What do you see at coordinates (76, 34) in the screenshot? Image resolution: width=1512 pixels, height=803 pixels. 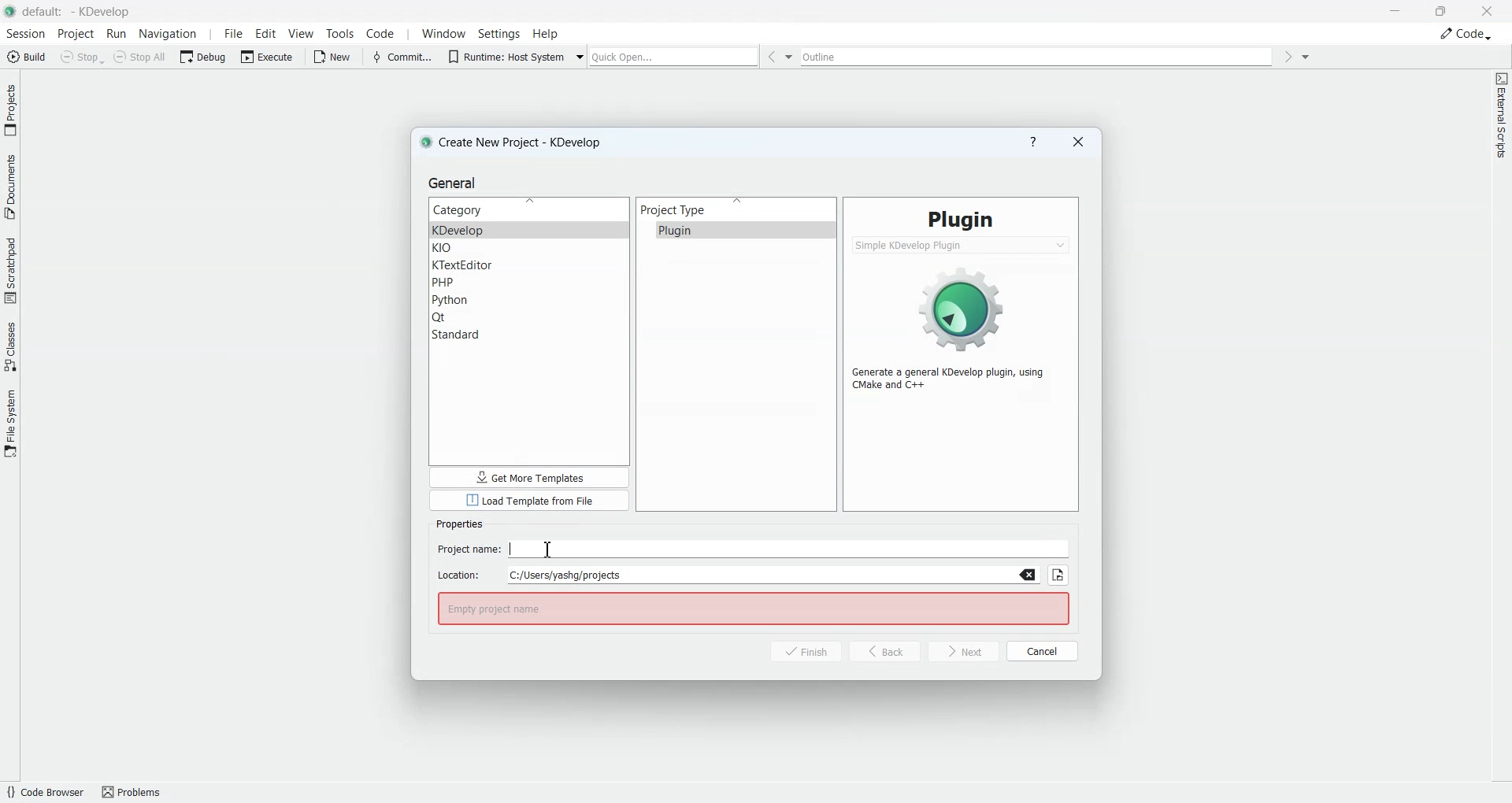 I see `Project` at bounding box center [76, 34].